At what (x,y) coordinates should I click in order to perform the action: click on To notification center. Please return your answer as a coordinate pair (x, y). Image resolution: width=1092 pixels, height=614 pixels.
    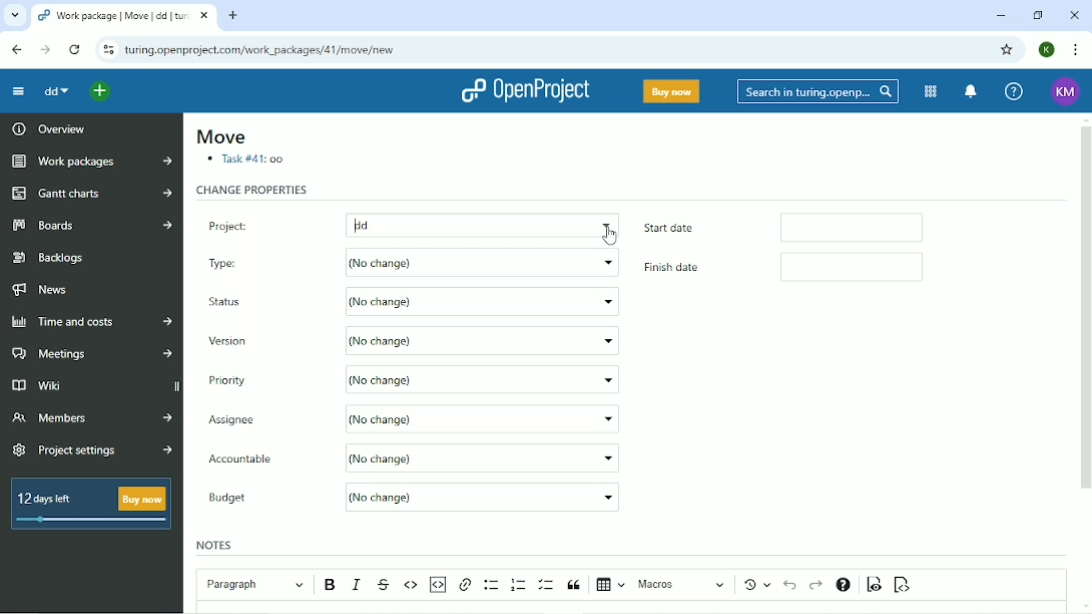
    Looking at the image, I should click on (968, 91).